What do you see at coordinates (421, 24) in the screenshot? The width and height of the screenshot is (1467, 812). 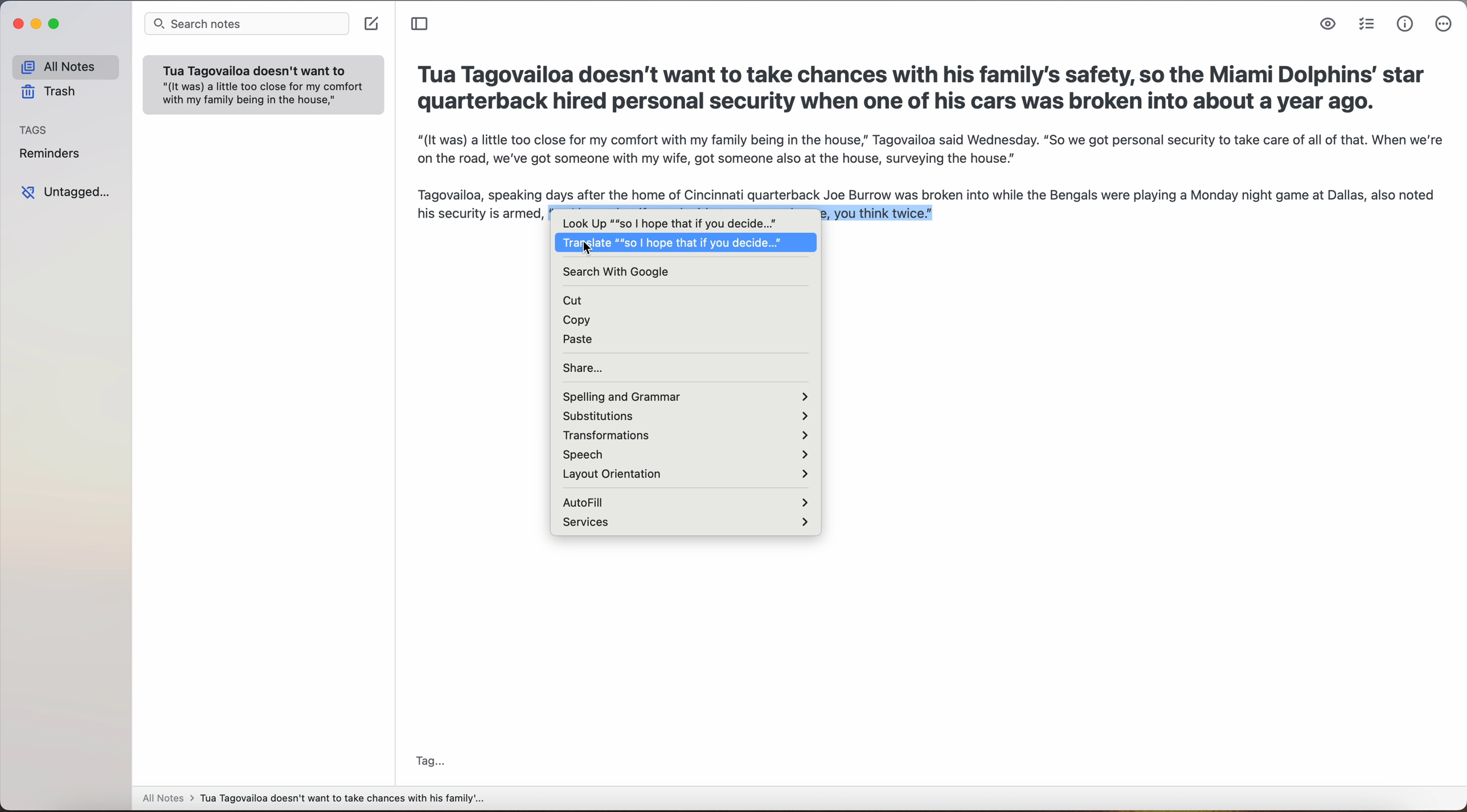 I see `toggle sidebar` at bounding box center [421, 24].